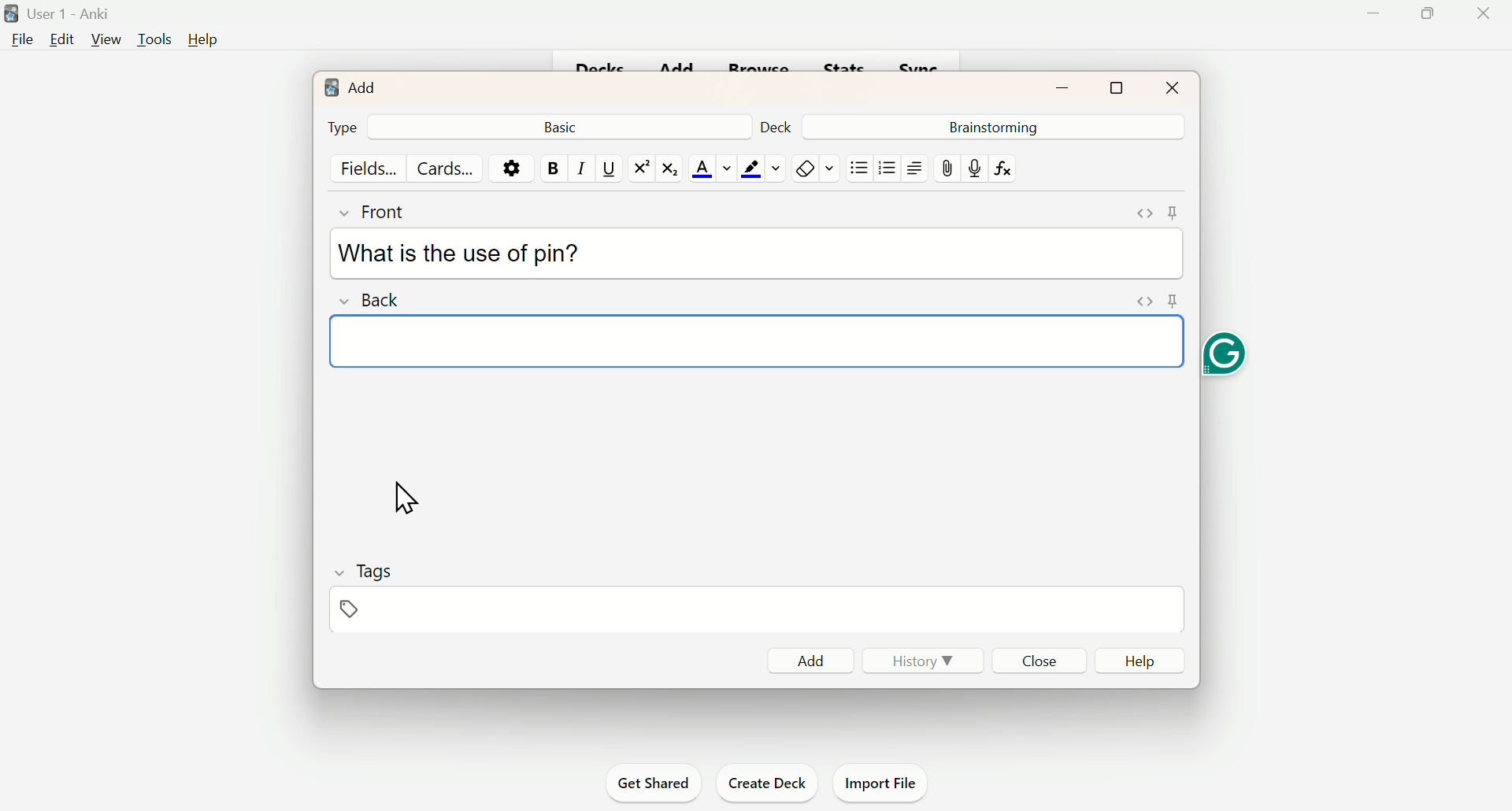 The width and height of the screenshot is (1512, 811). What do you see at coordinates (991, 126) in the screenshot?
I see `Brainstorming` at bounding box center [991, 126].